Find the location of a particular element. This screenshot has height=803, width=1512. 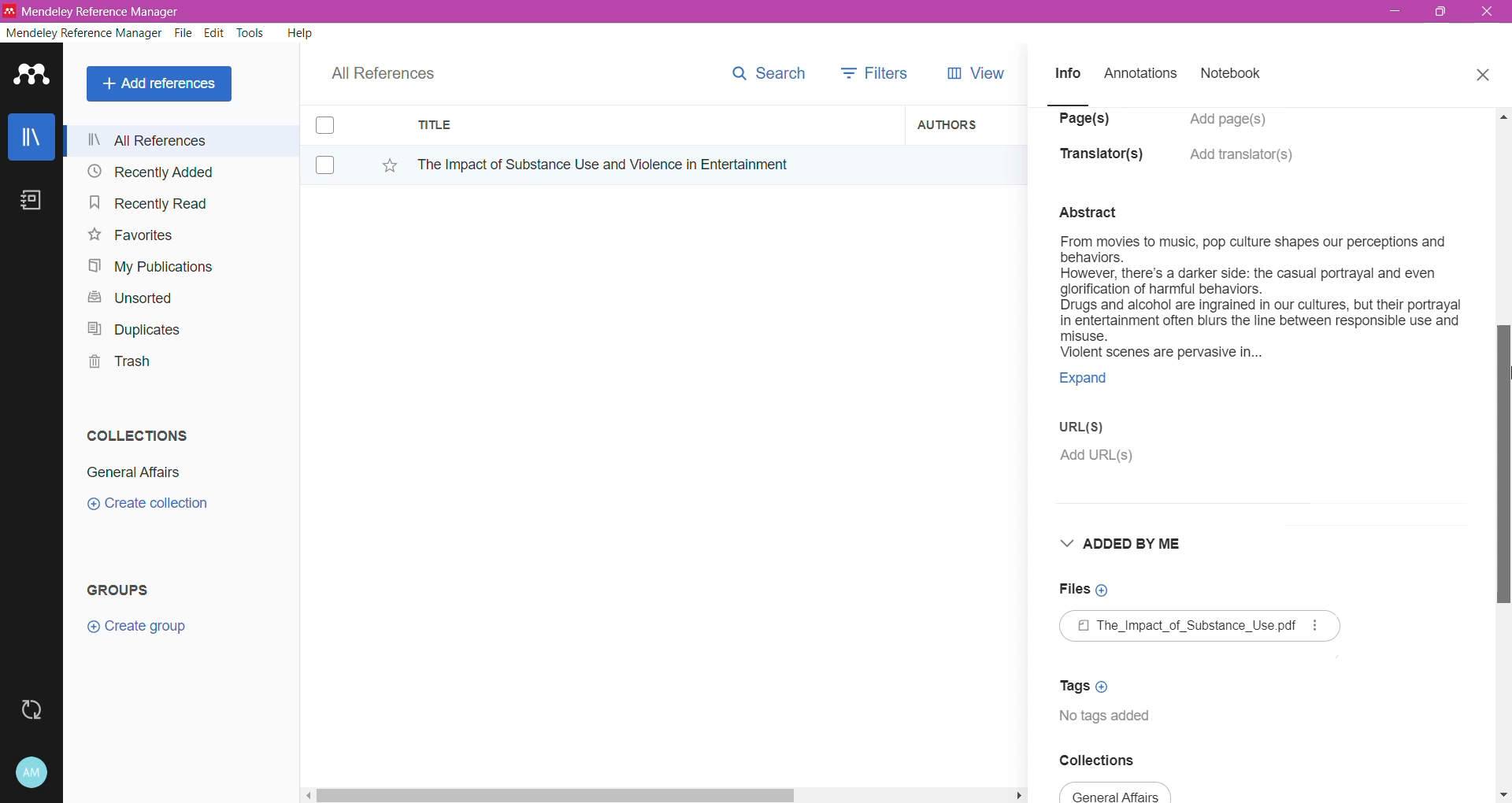

Click to Add Files is located at coordinates (1080, 590).